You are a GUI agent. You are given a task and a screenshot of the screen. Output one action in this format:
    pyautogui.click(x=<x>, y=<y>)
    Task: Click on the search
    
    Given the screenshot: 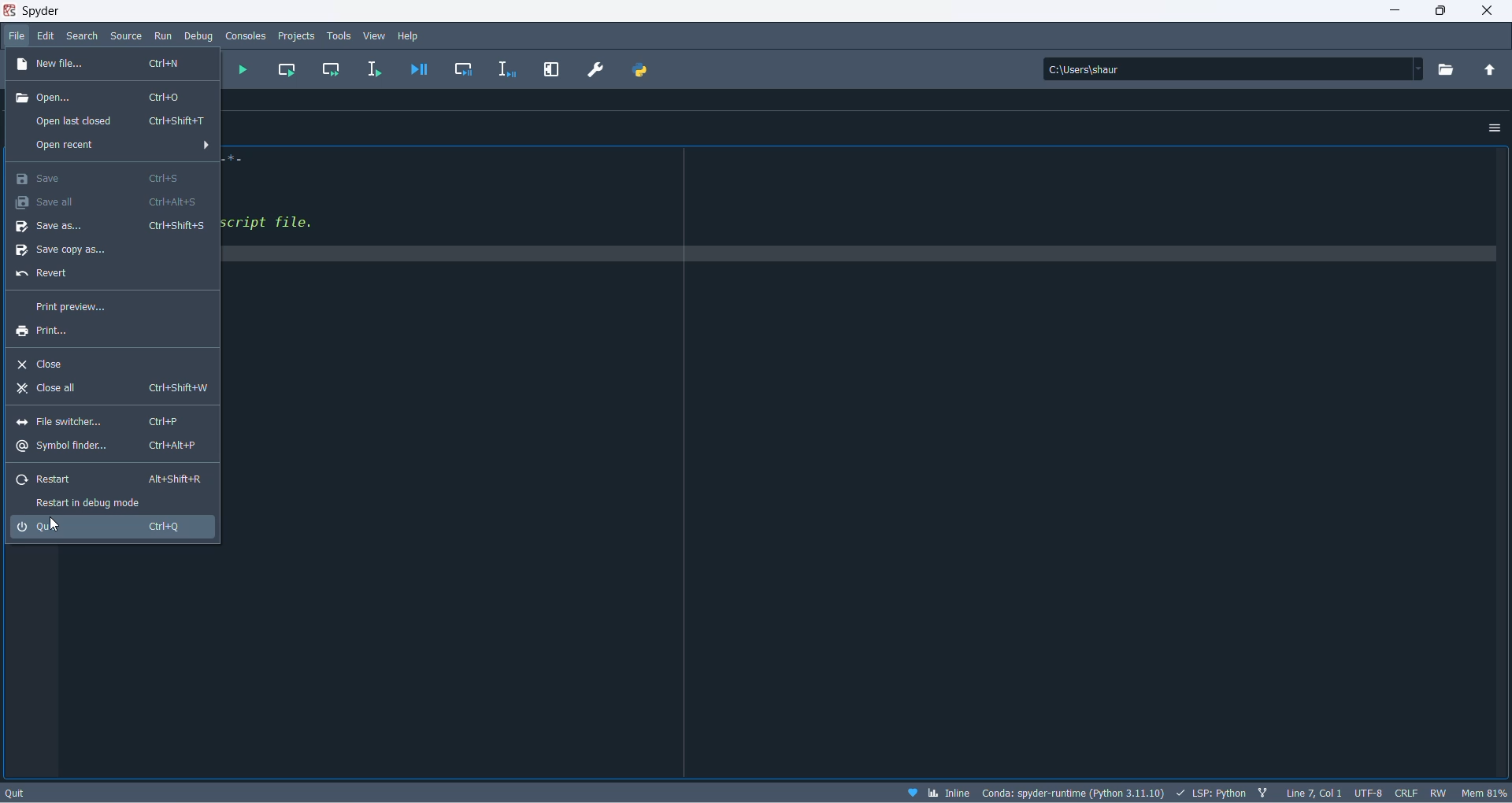 What is the action you would take?
    pyautogui.click(x=82, y=39)
    